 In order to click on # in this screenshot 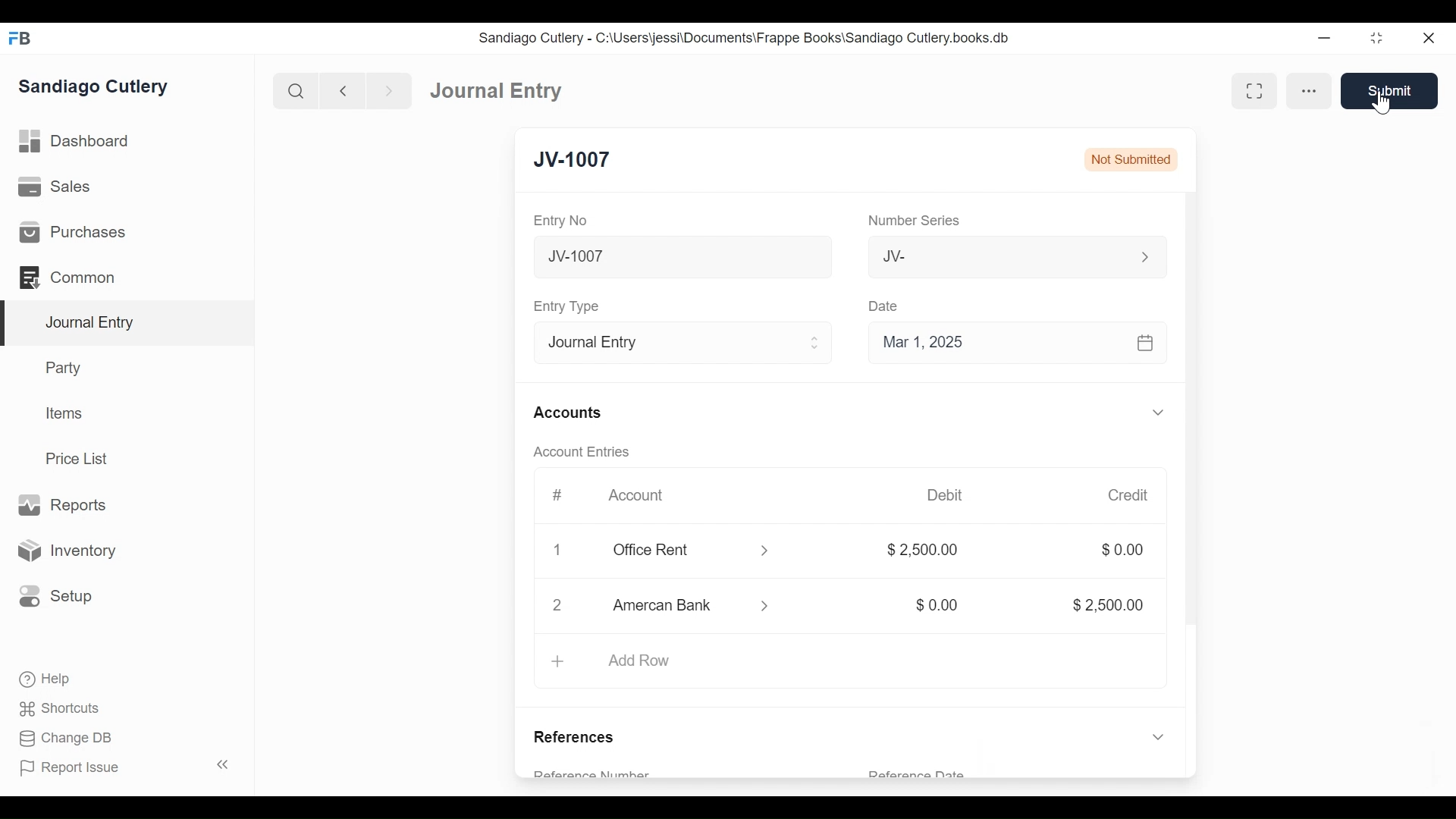, I will do `click(552, 495)`.